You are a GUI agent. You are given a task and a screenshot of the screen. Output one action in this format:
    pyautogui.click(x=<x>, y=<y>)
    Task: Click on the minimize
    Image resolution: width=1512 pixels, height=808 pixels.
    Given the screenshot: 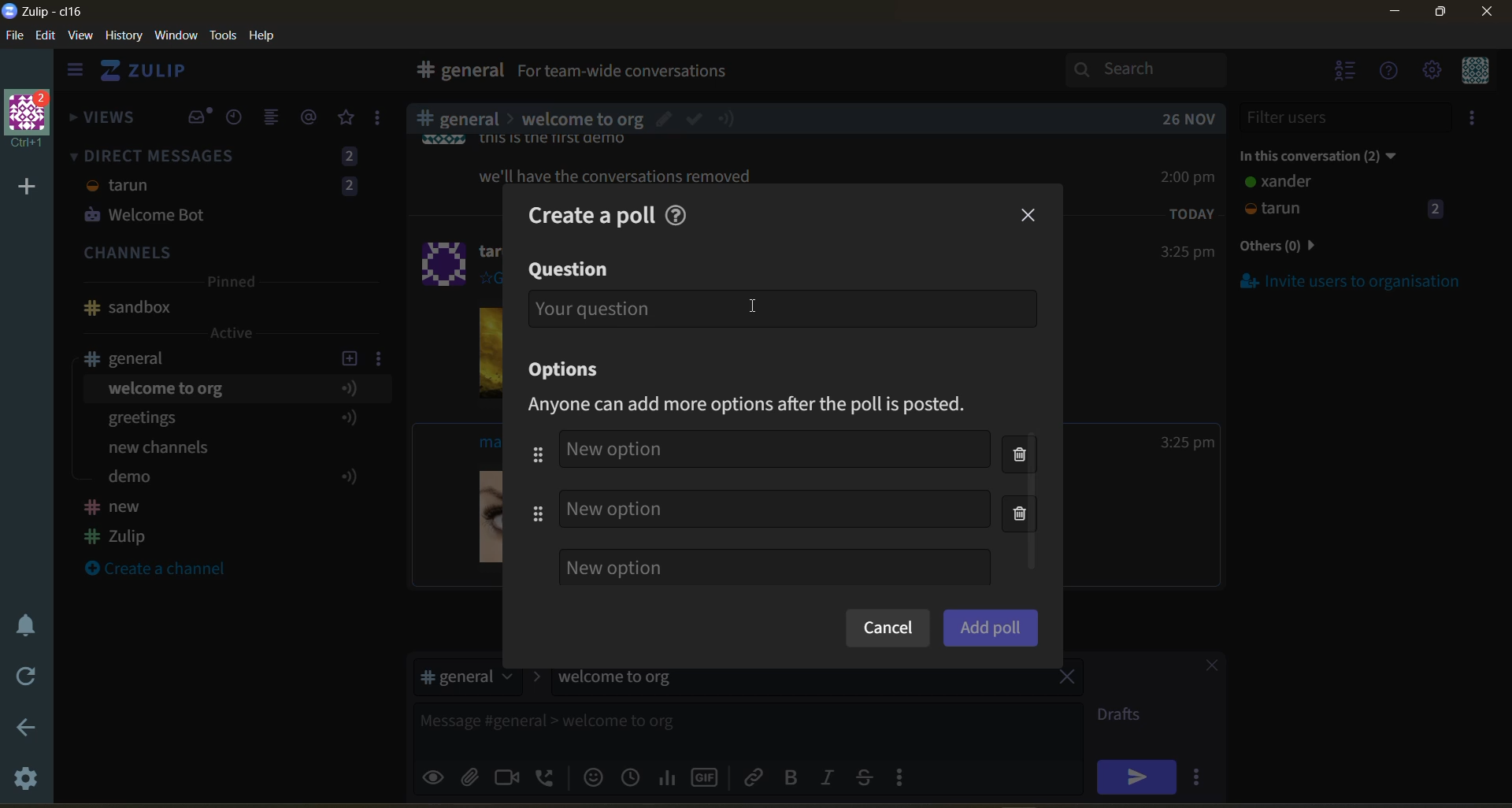 What is the action you would take?
    pyautogui.click(x=1395, y=14)
    